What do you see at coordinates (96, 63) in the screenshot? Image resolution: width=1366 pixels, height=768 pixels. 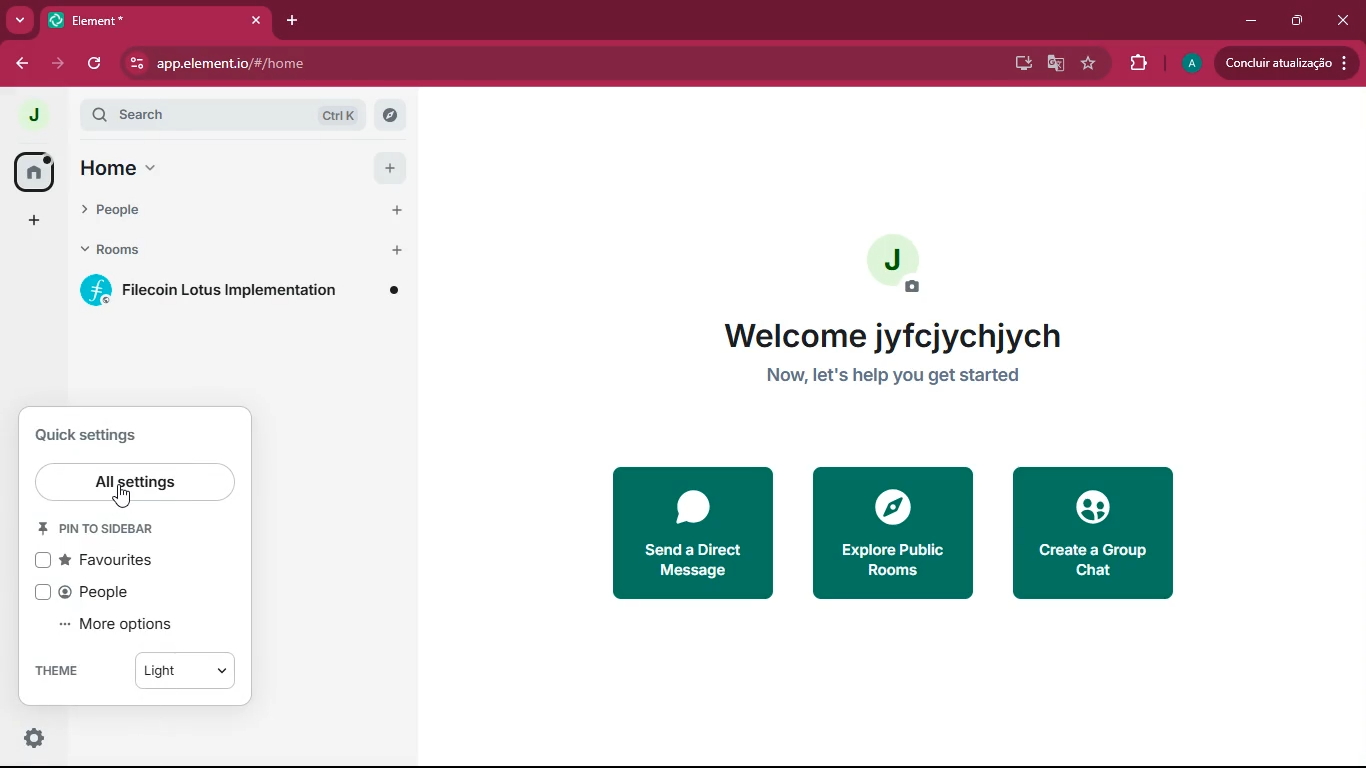 I see `refresh` at bounding box center [96, 63].